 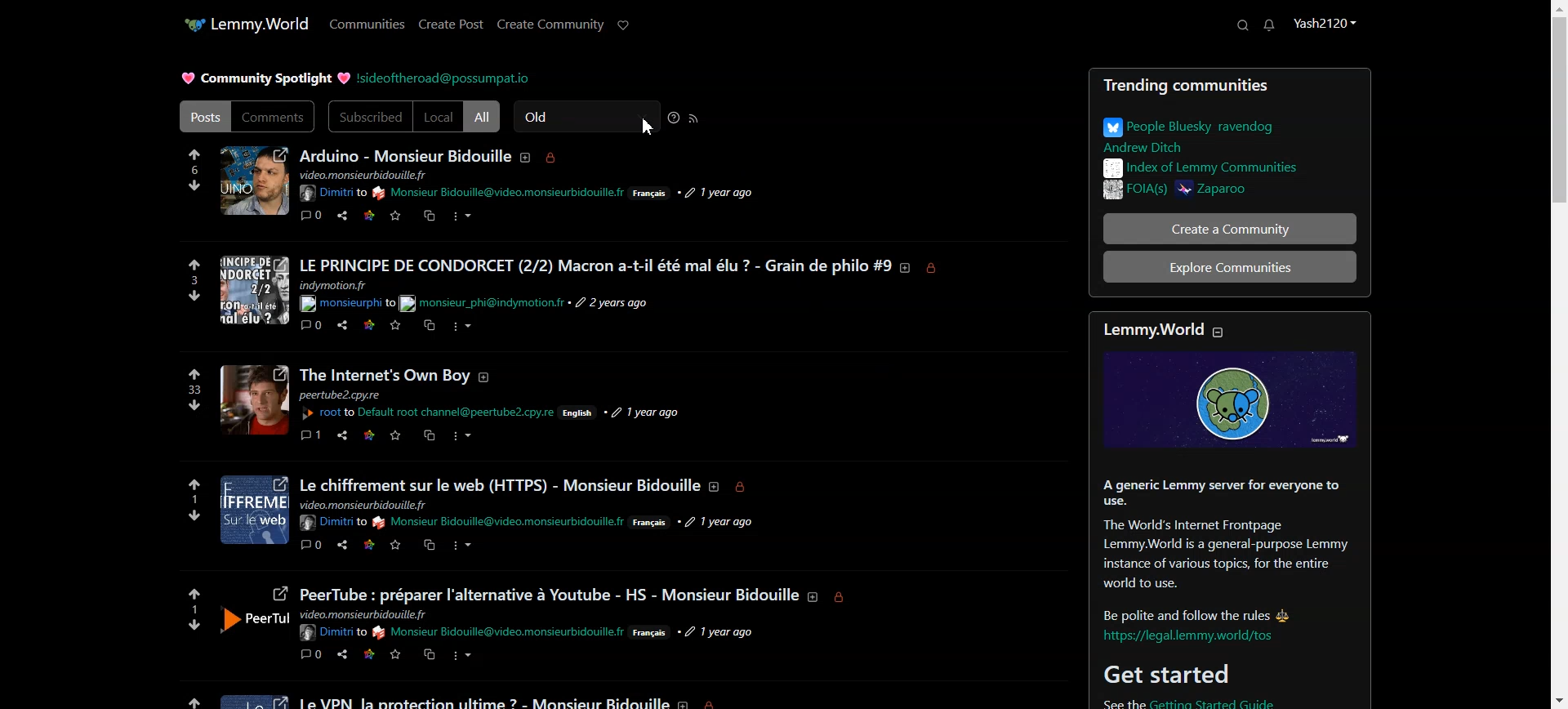 What do you see at coordinates (1219, 547) in the screenshot?
I see `Text` at bounding box center [1219, 547].